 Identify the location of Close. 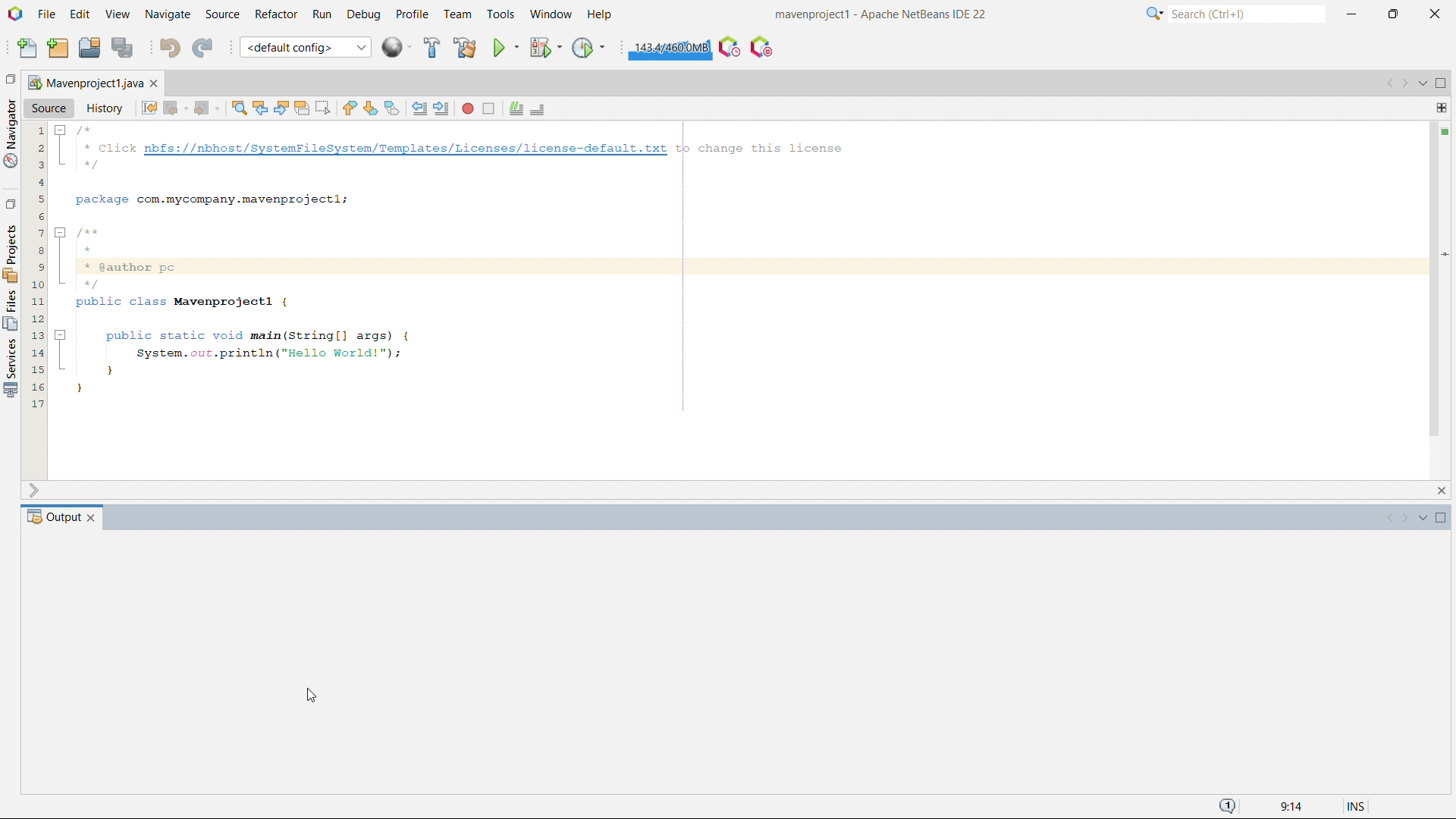
(156, 85).